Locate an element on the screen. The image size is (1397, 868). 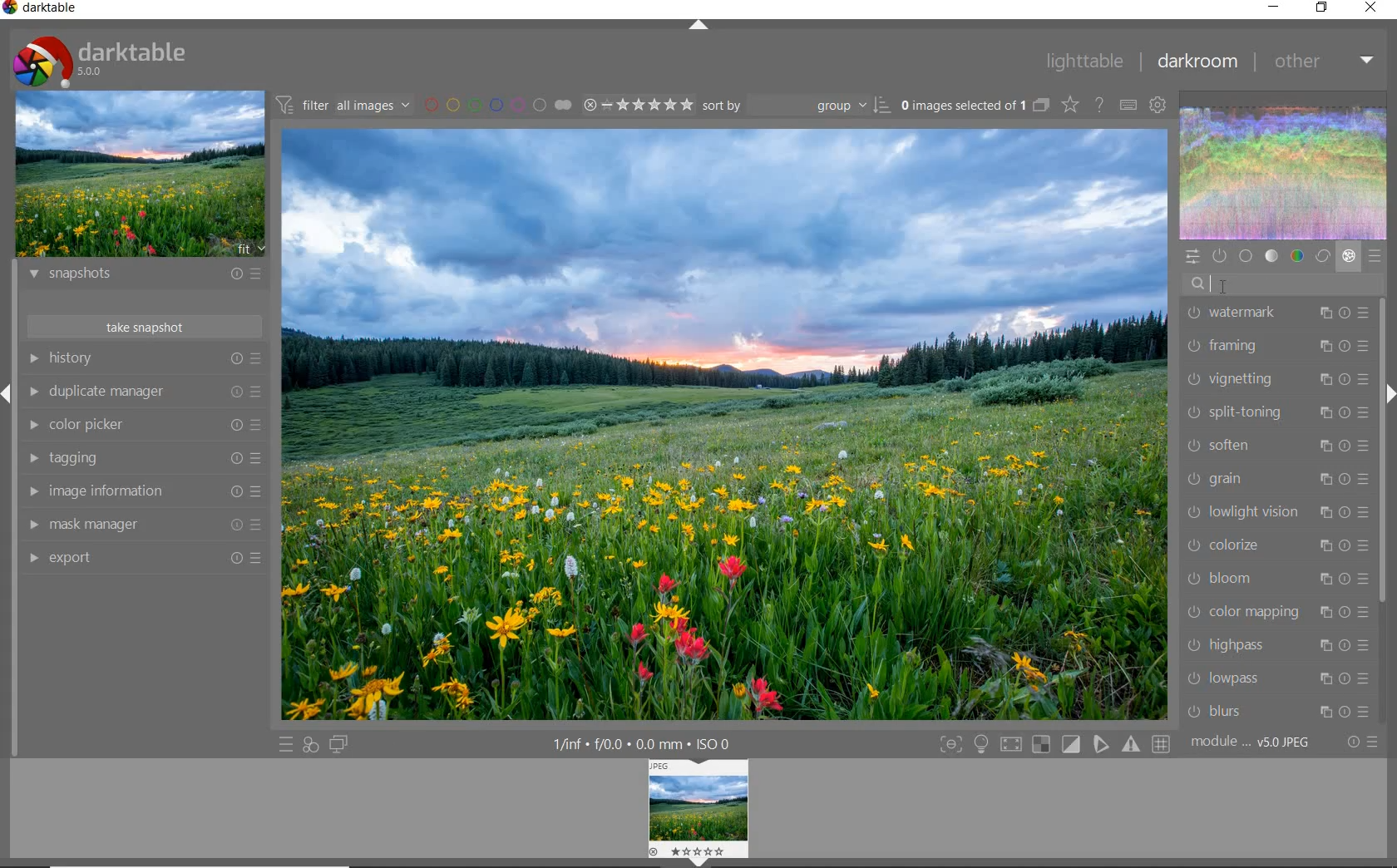
bloom is located at coordinates (1275, 581).